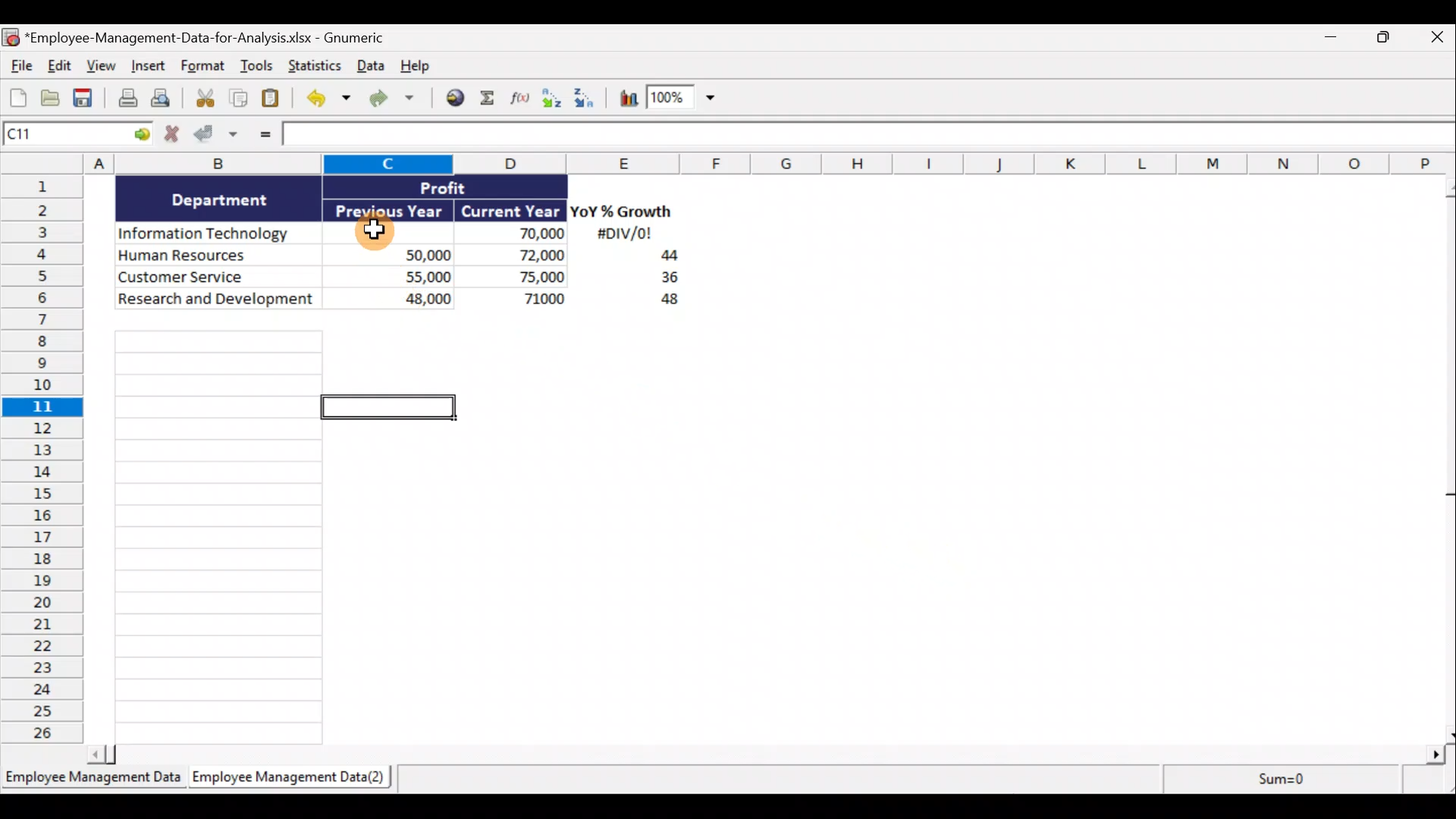 The width and height of the screenshot is (1456, 819). What do you see at coordinates (286, 780) in the screenshot?
I see `Employee Management Data(2)` at bounding box center [286, 780].